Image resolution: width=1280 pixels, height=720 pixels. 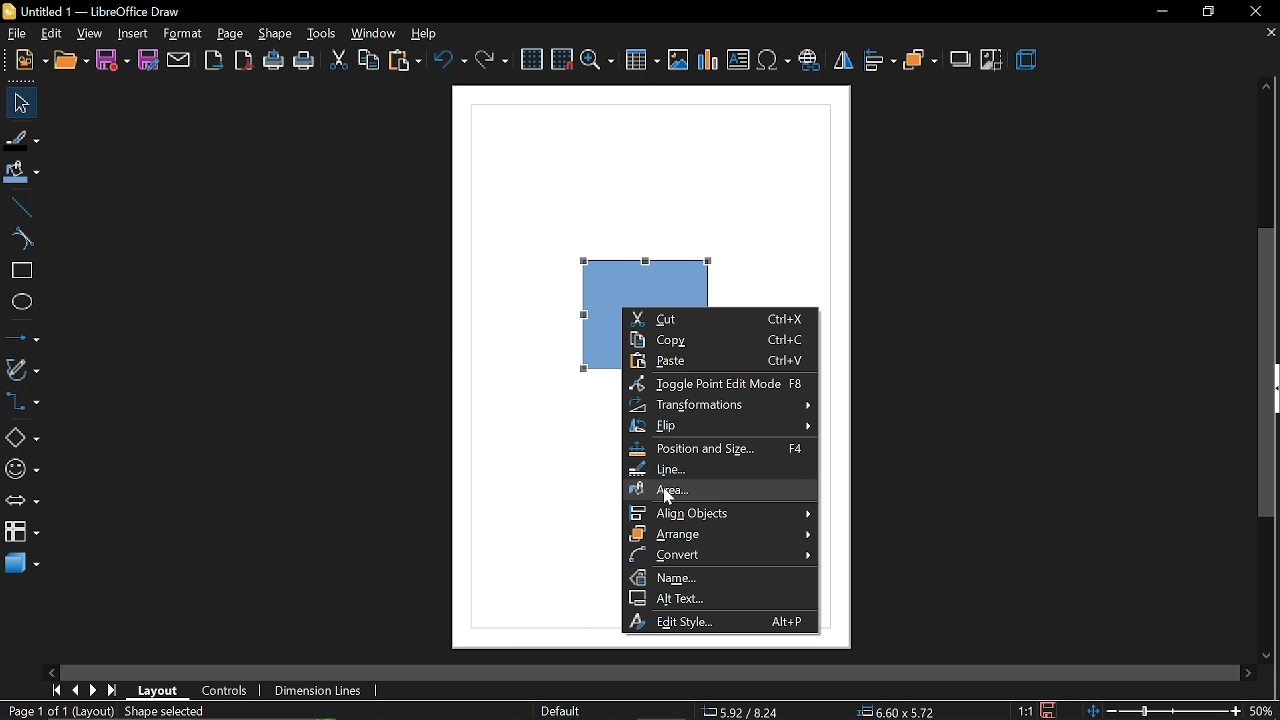 I want to click on ellipse, so click(x=18, y=304).